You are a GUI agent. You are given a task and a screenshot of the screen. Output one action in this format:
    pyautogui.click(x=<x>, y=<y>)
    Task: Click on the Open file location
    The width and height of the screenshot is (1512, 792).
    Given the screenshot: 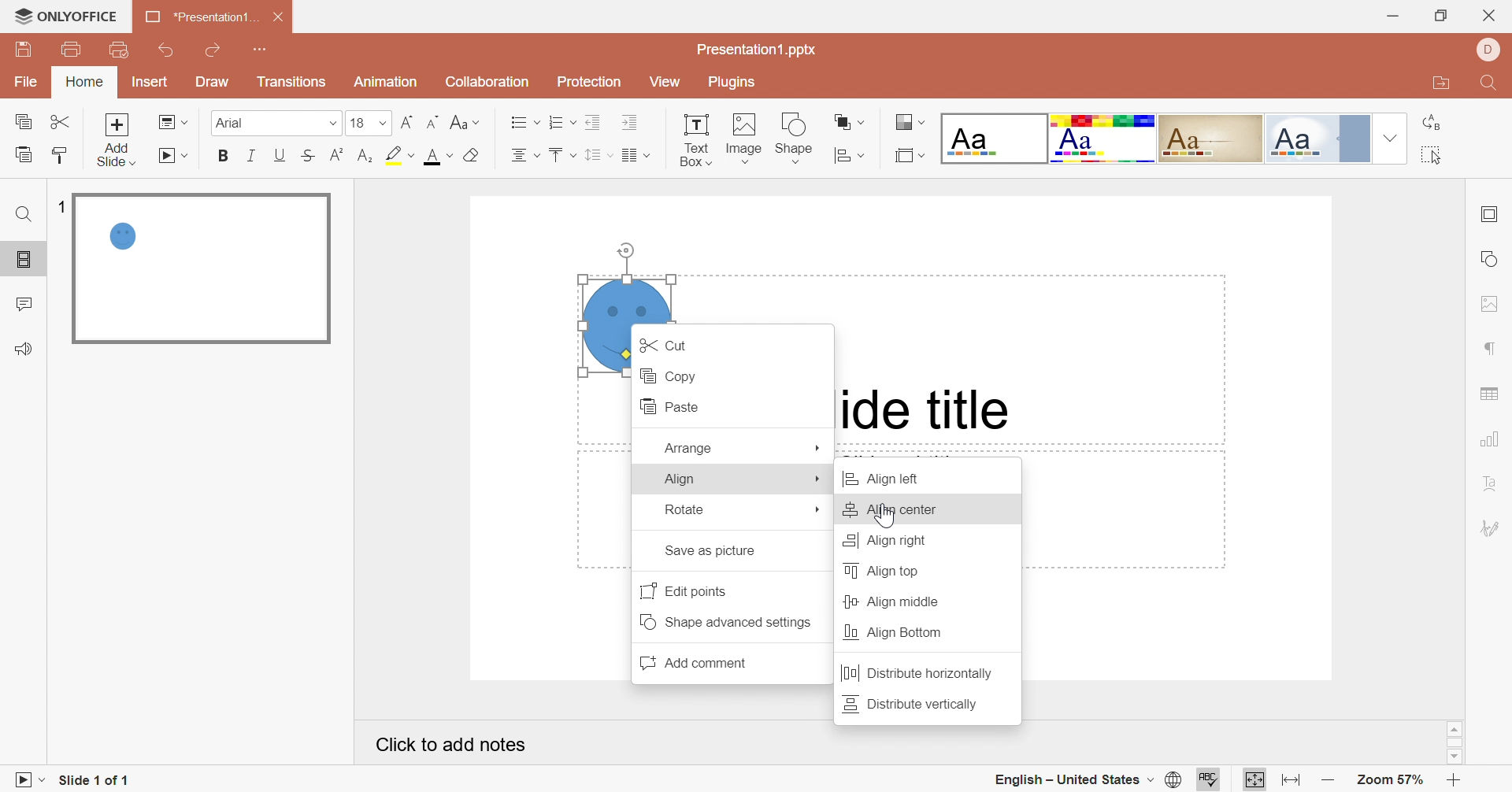 What is the action you would take?
    pyautogui.click(x=1437, y=85)
    